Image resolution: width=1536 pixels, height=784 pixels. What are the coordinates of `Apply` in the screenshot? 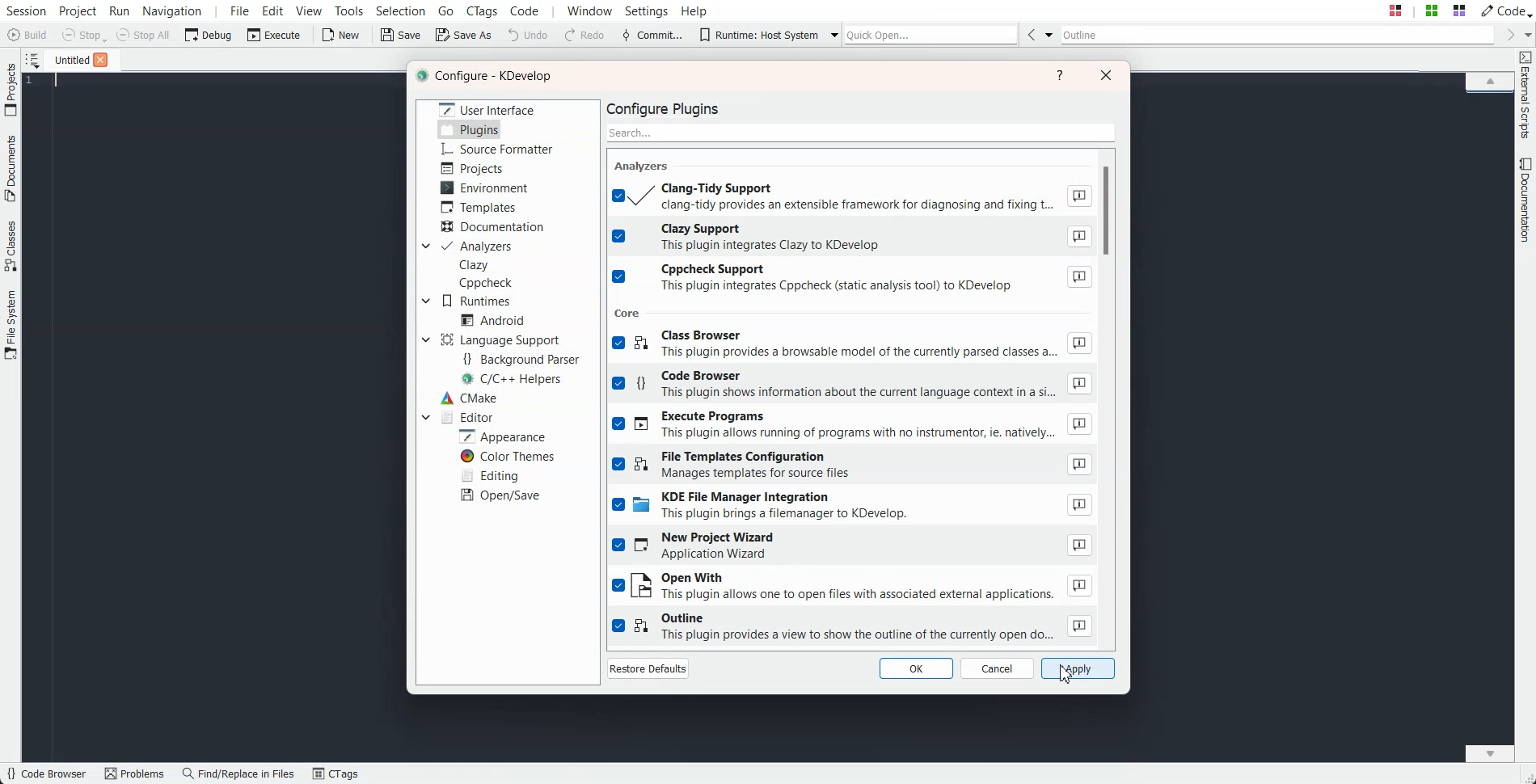 It's located at (1078, 668).